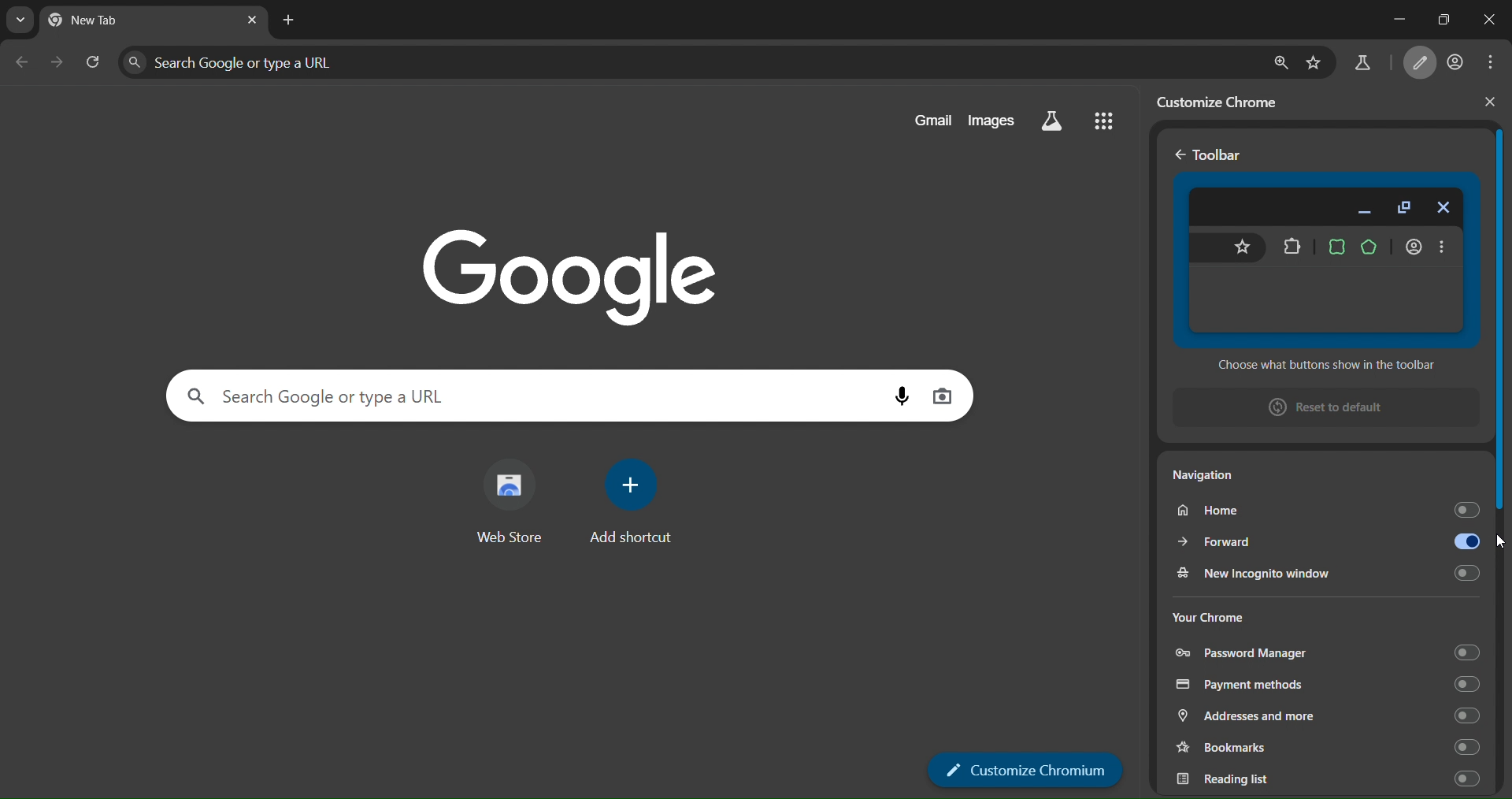 The width and height of the screenshot is (1512, 799). I want to click on minimize, so click(1391, 18).